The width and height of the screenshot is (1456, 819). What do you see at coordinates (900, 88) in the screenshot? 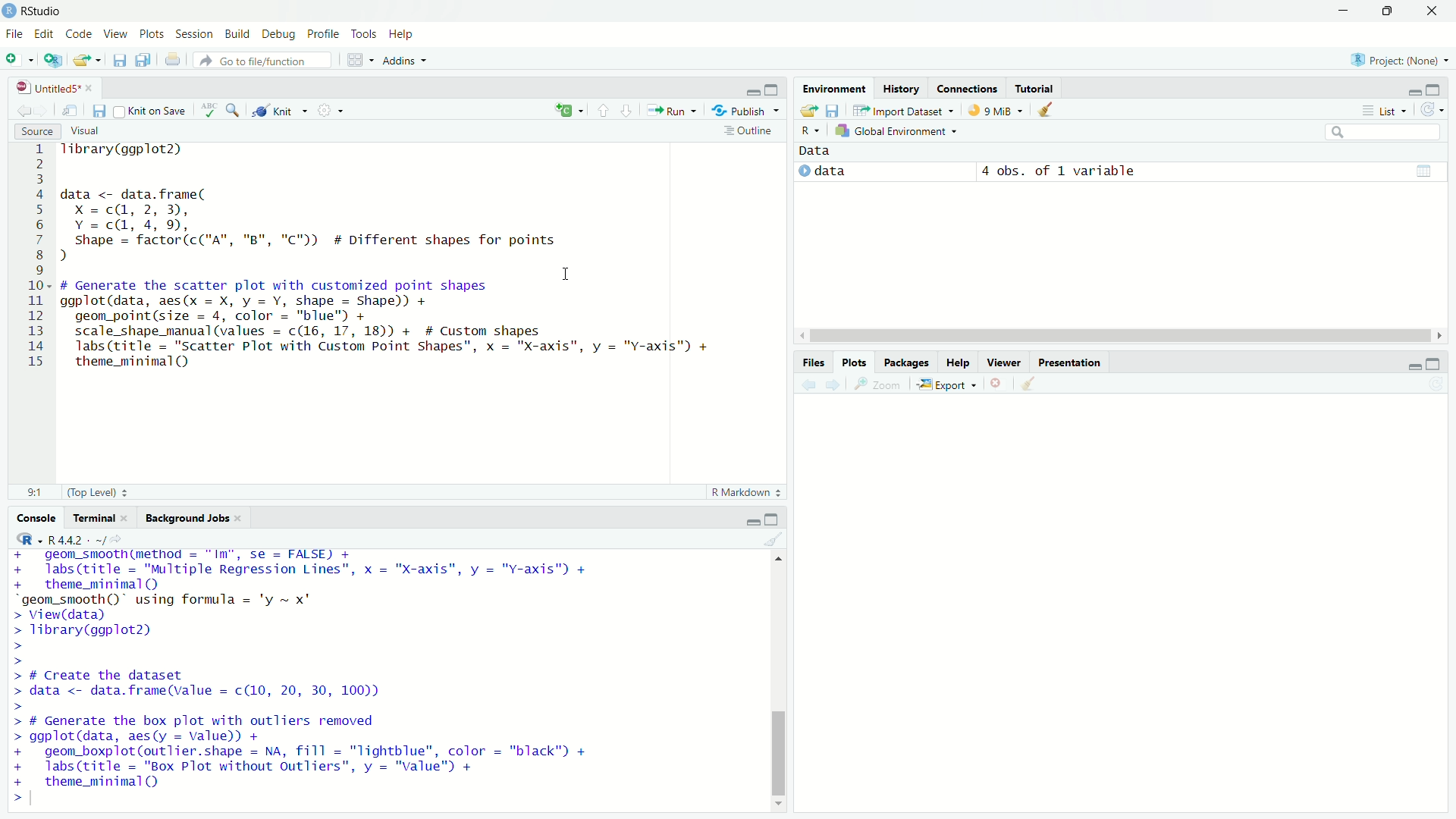
I see `History` at bounding box center [900, 88].